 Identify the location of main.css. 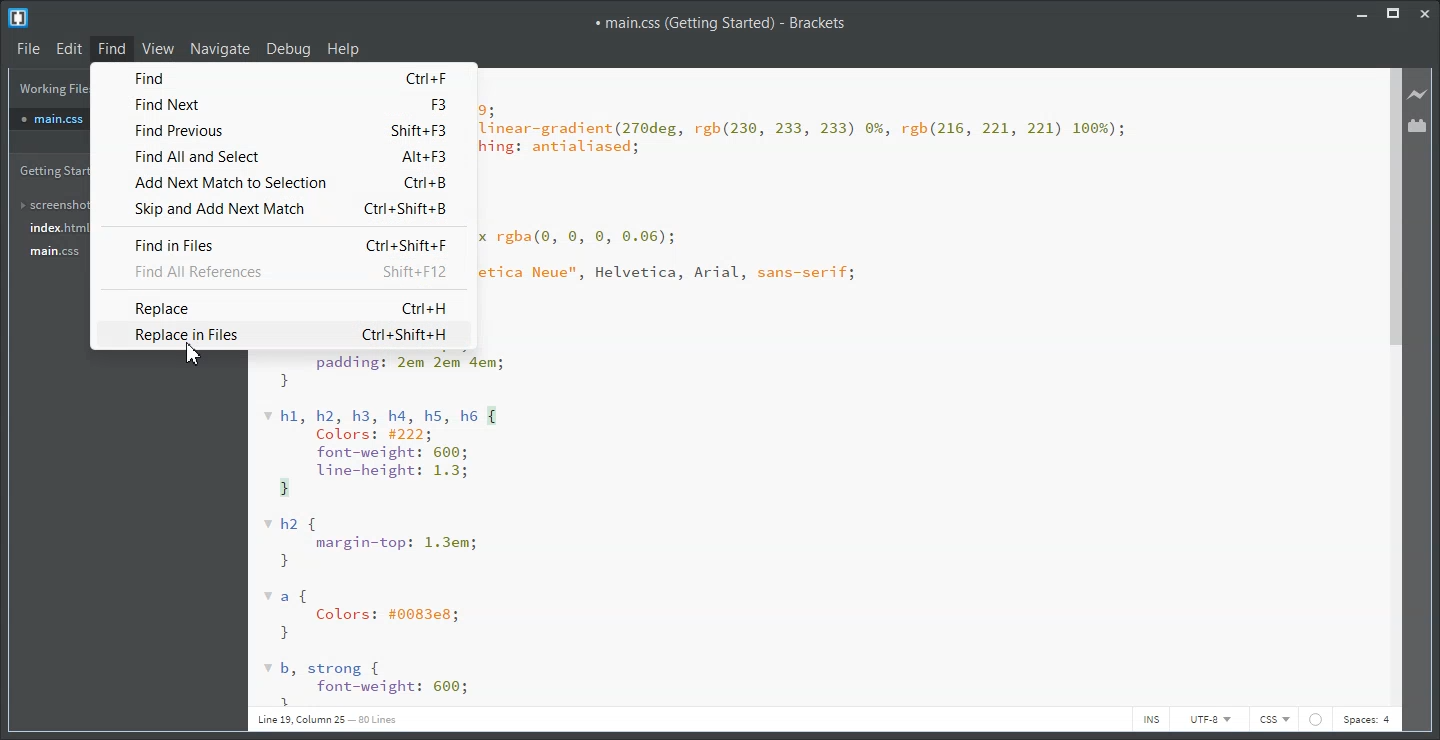
(50, 251).